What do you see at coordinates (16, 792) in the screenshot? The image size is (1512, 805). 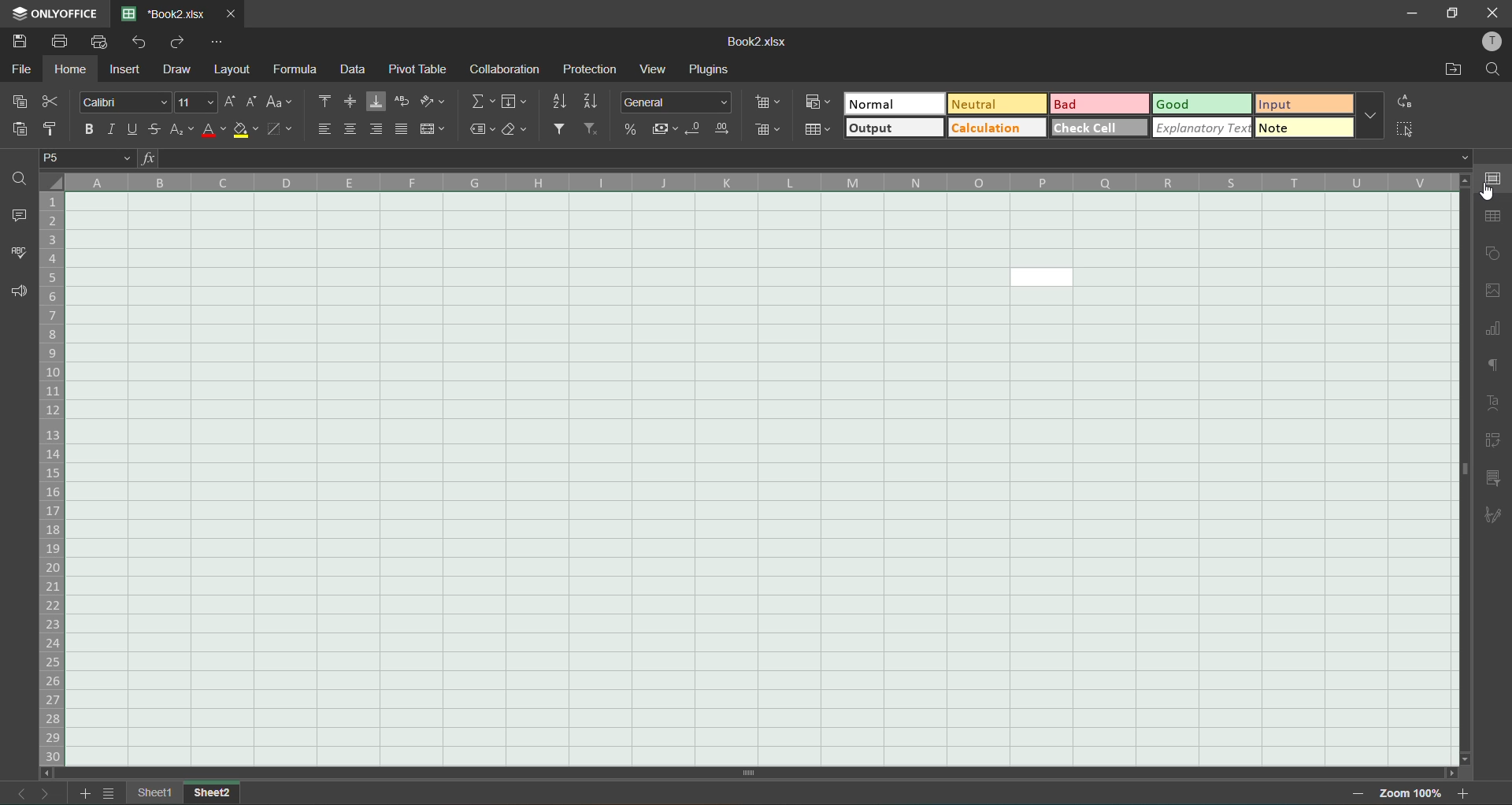 I see `previous` at bounding box center [16, 792].